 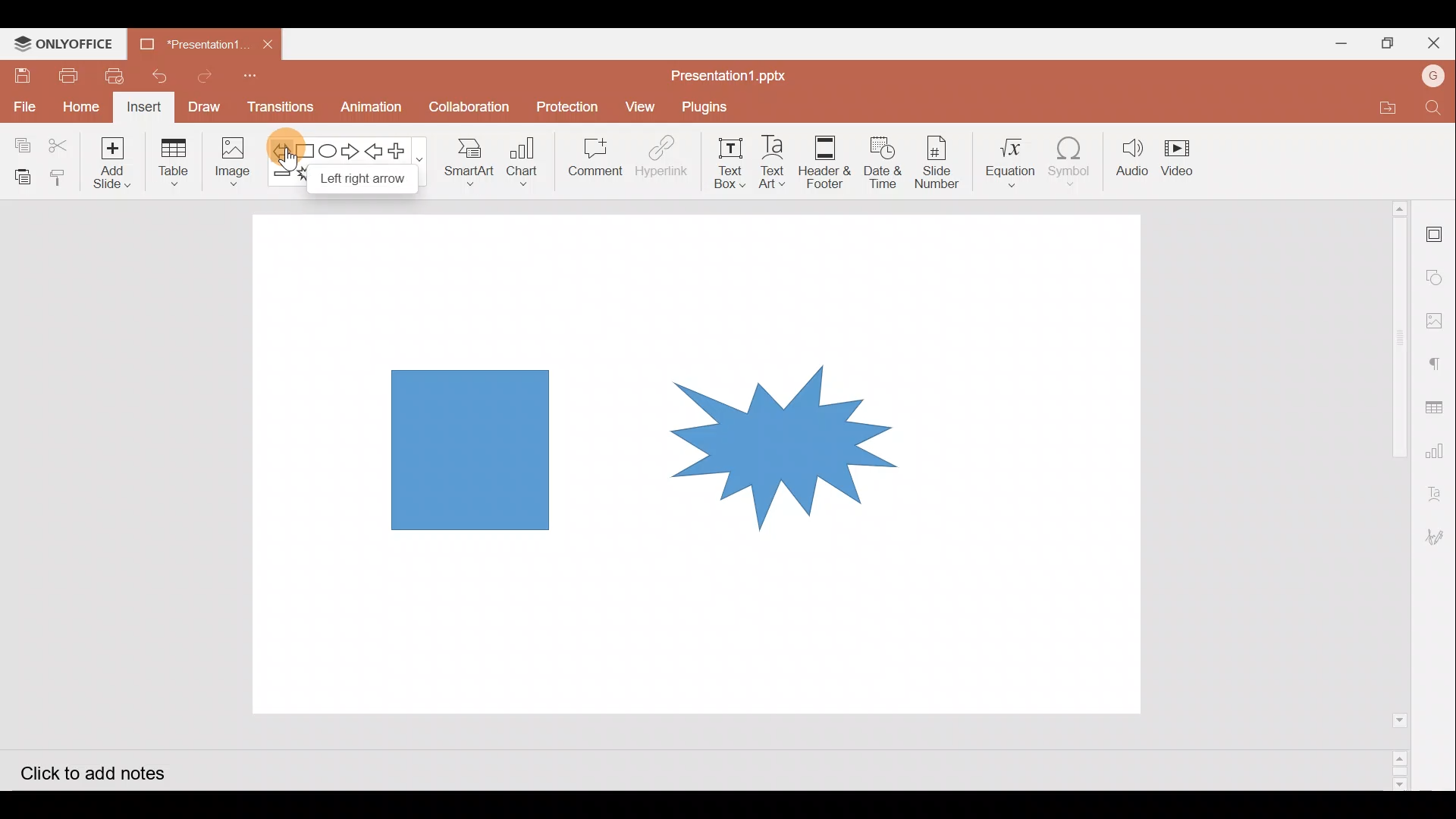 What do you see at coordinates (63, 44) in the screenshot?
I see `ONLYOFFICE` at bounding box center [63, 44].